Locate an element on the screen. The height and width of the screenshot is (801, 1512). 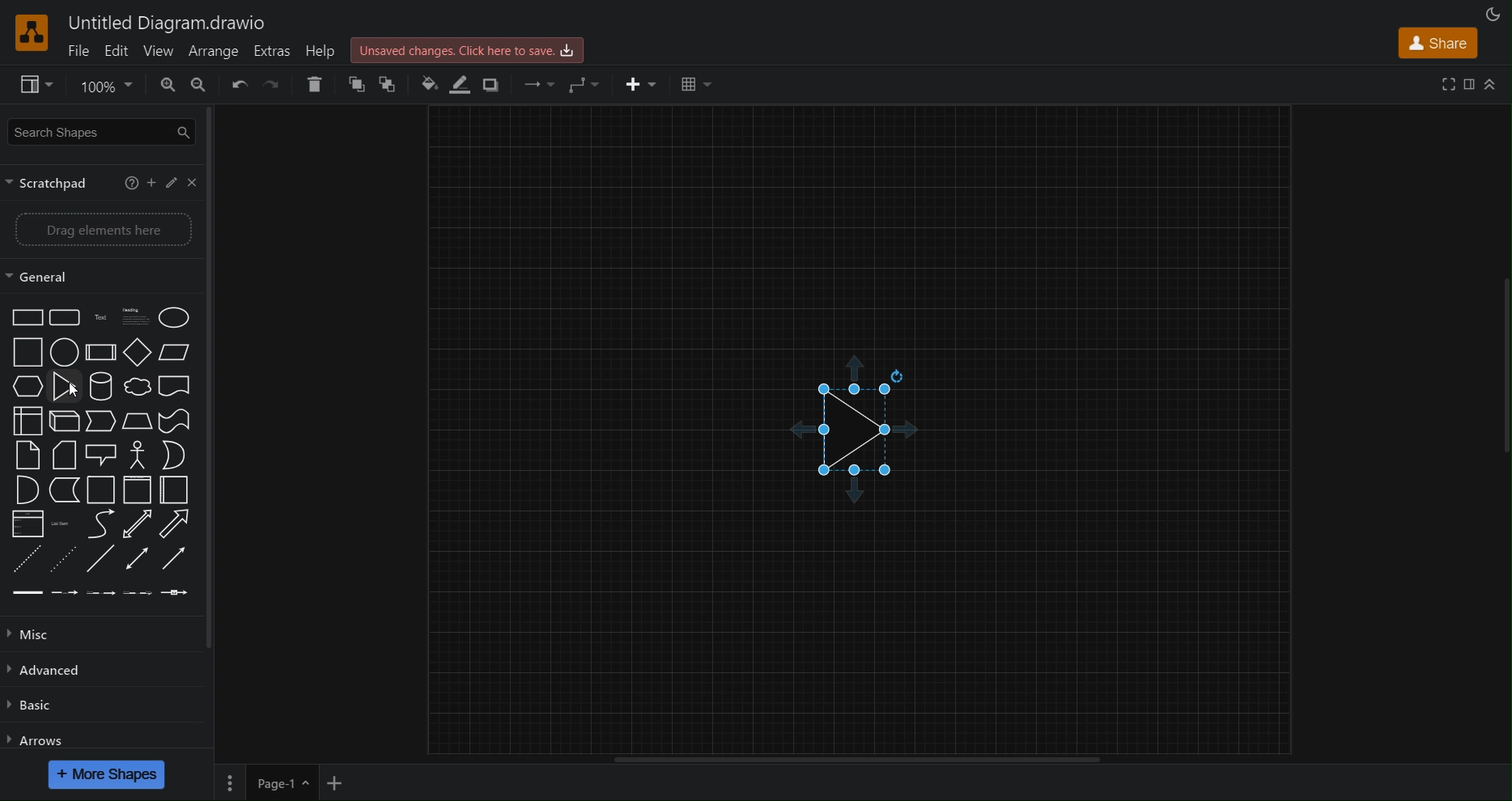
Search Shapes is located at coordinates (102, 132).